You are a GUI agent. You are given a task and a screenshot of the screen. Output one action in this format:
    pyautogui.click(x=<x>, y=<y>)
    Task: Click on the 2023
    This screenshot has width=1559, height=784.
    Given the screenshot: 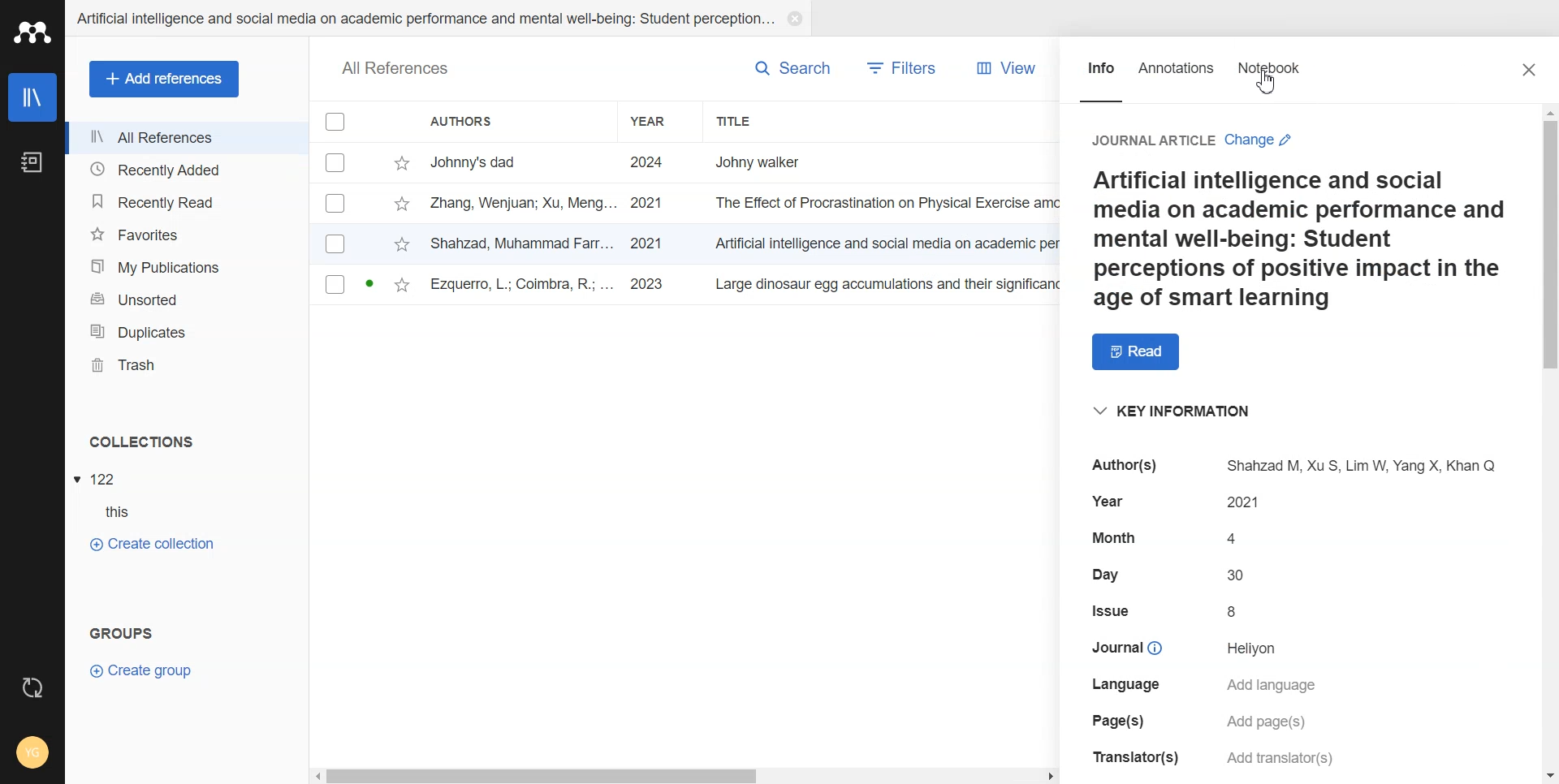 What is the action you would take?
    pyautogui.click(x=650, y=285)
    